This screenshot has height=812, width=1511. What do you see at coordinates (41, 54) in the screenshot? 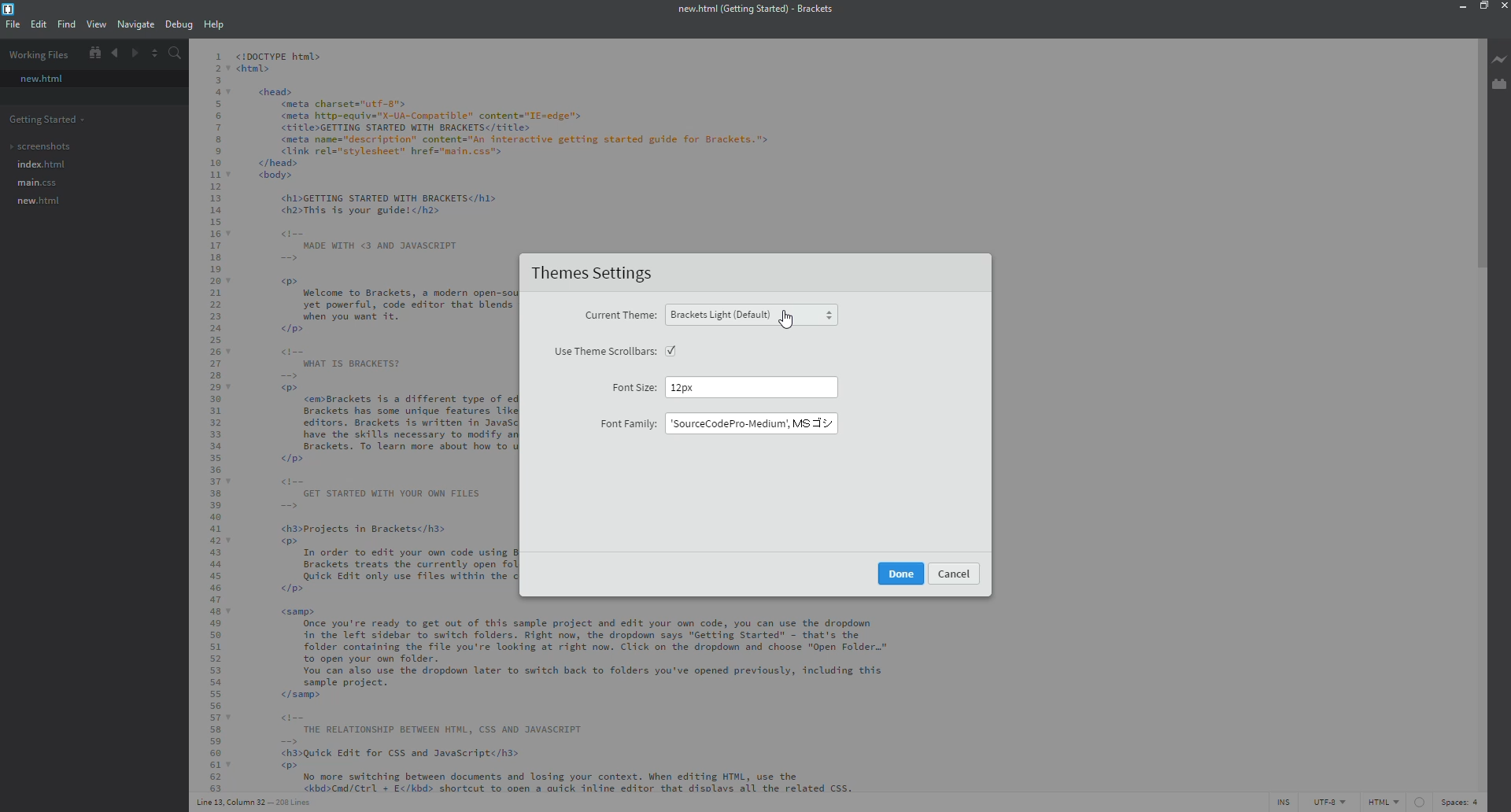
I see `working files` at bounding box center [41, 54].